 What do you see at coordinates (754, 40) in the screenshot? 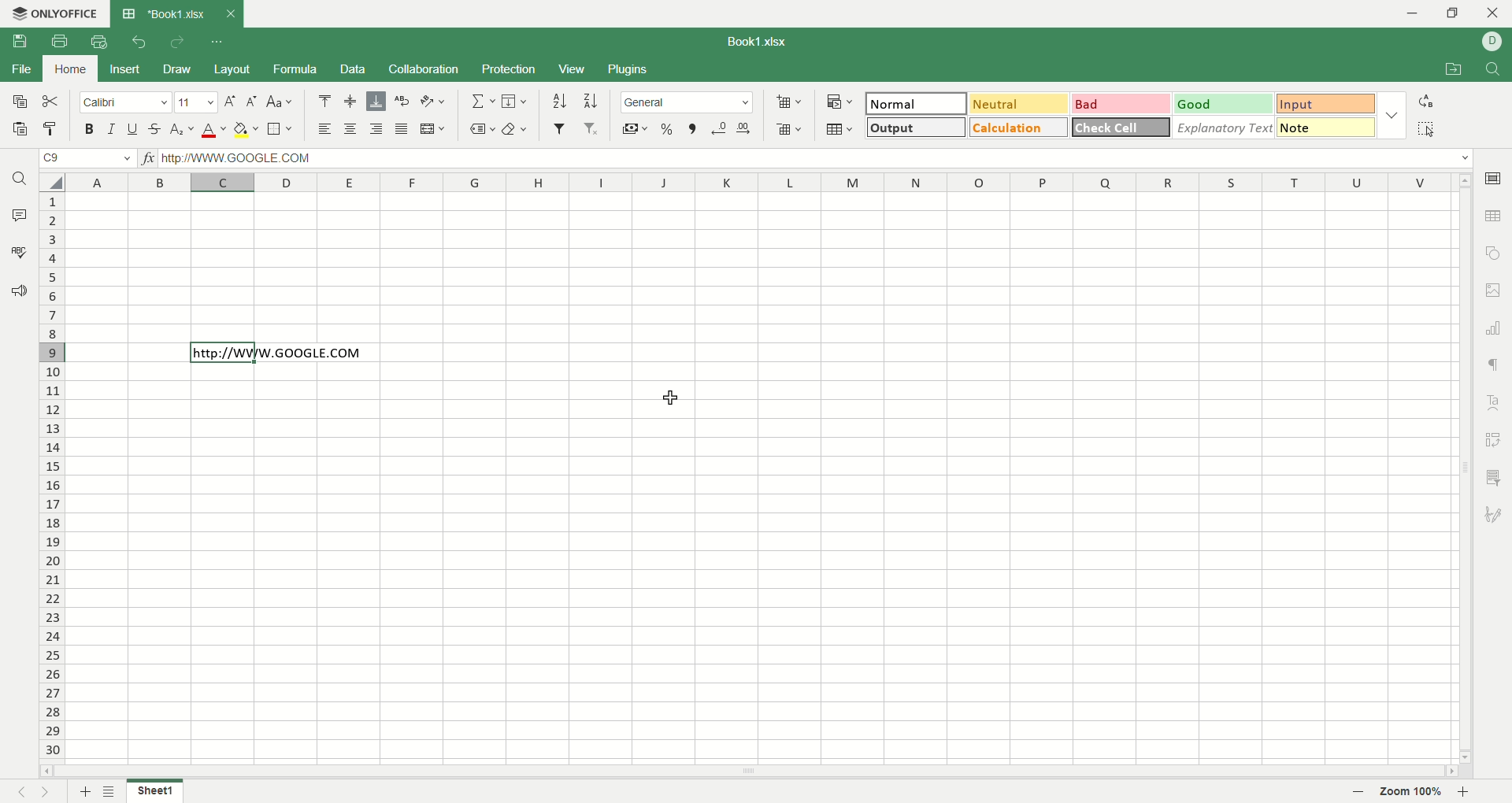
I see `book name` at bounding box center [754, 40].